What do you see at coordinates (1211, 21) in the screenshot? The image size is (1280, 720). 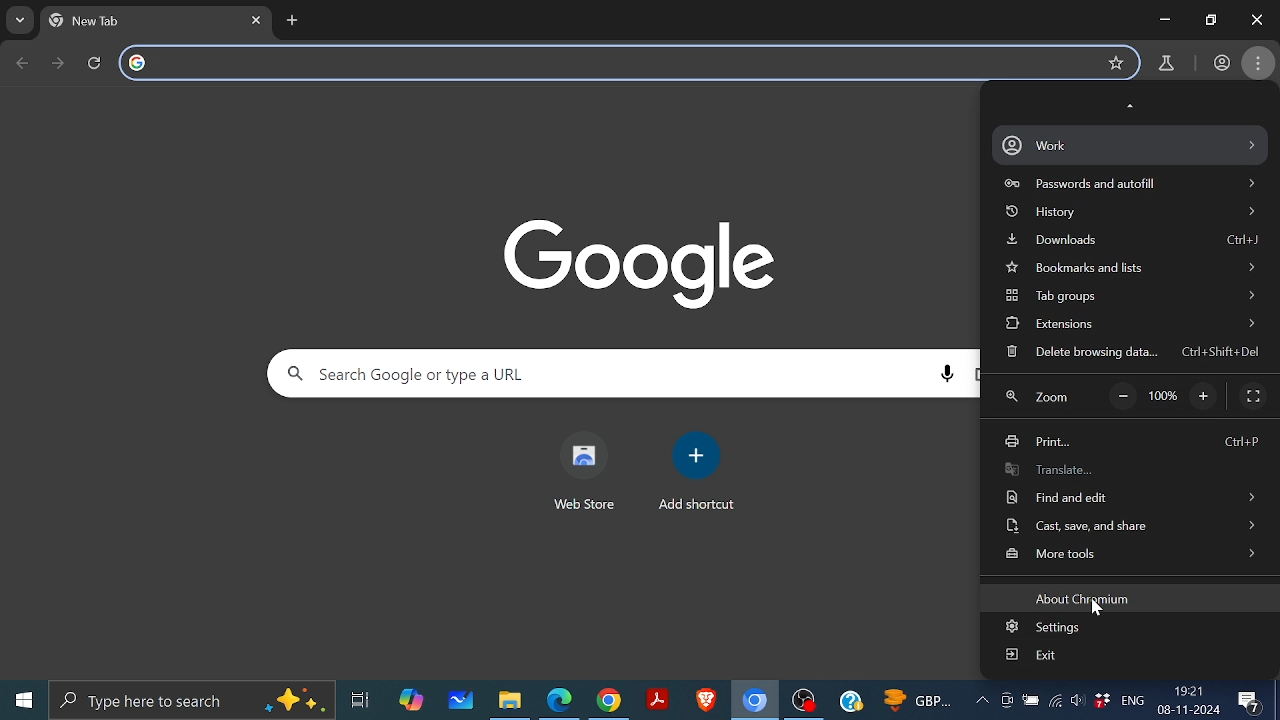 I see `maximize` at bounding box center [1211, 21].